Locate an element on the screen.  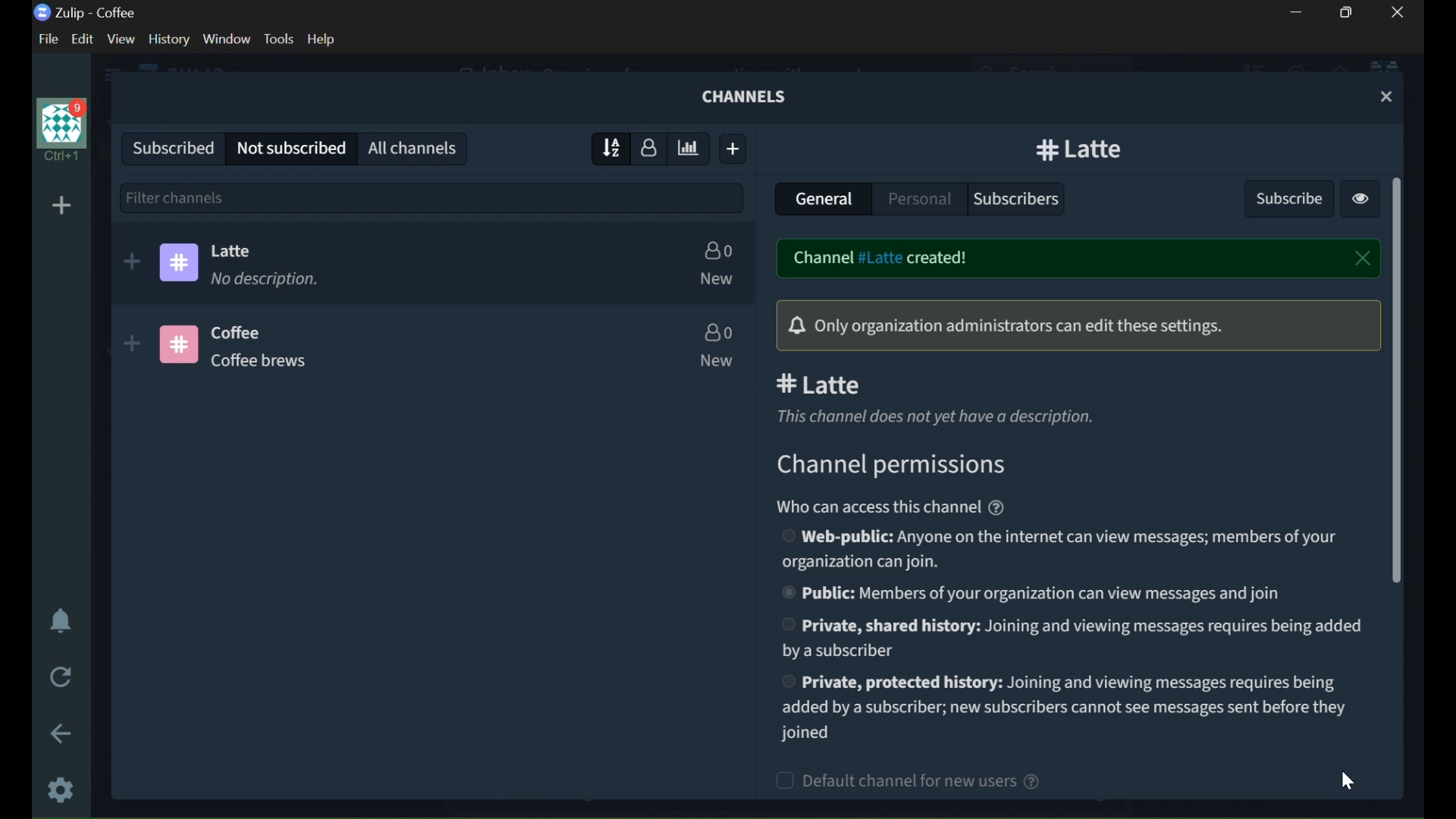
SORT BY NAME is located at coordinates (606, 148).